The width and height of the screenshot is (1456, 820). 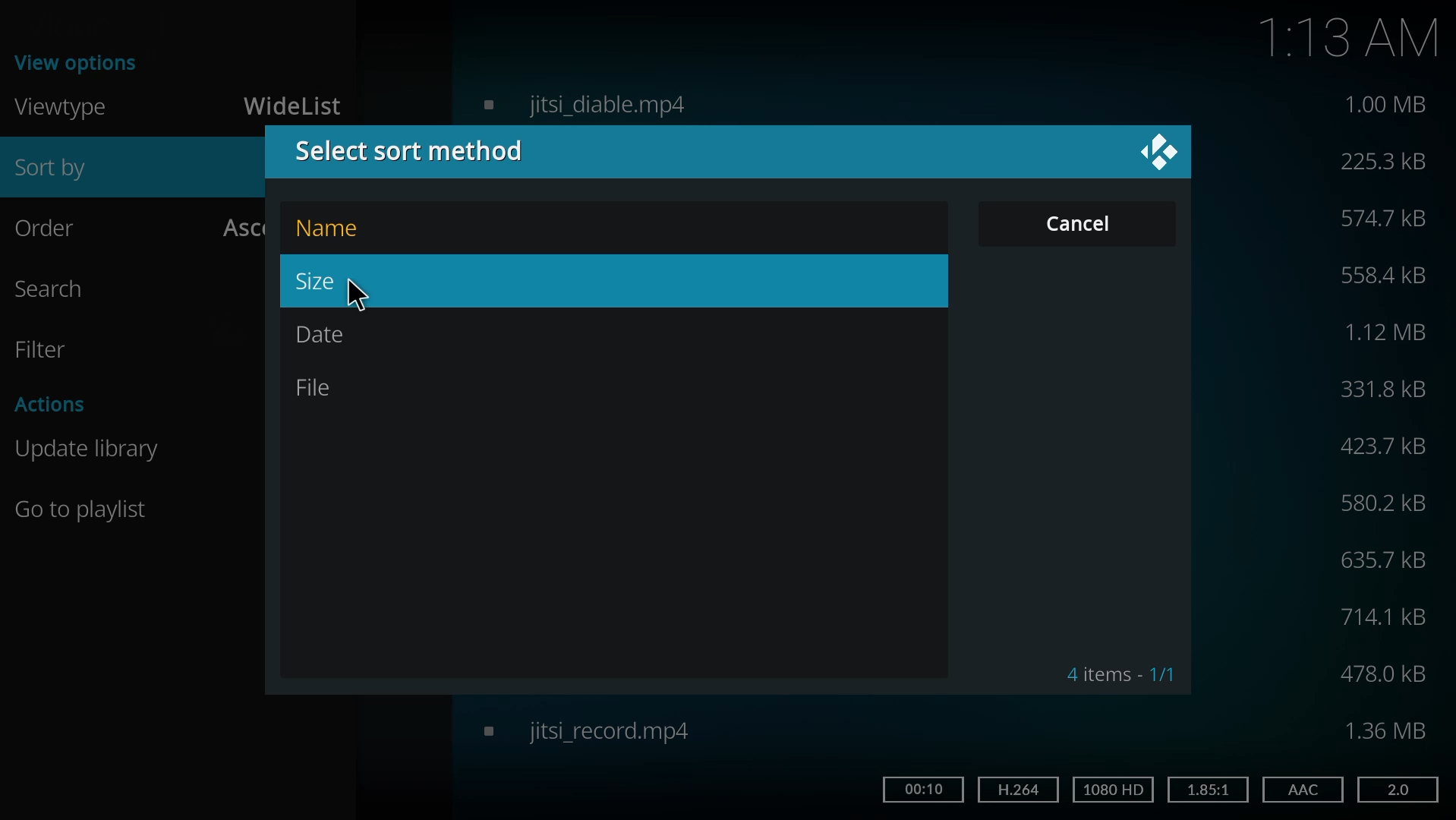 What do you see at coordinates (1209, 787) in the screenshot?
I see `1` at bounding box center [1209, 787].